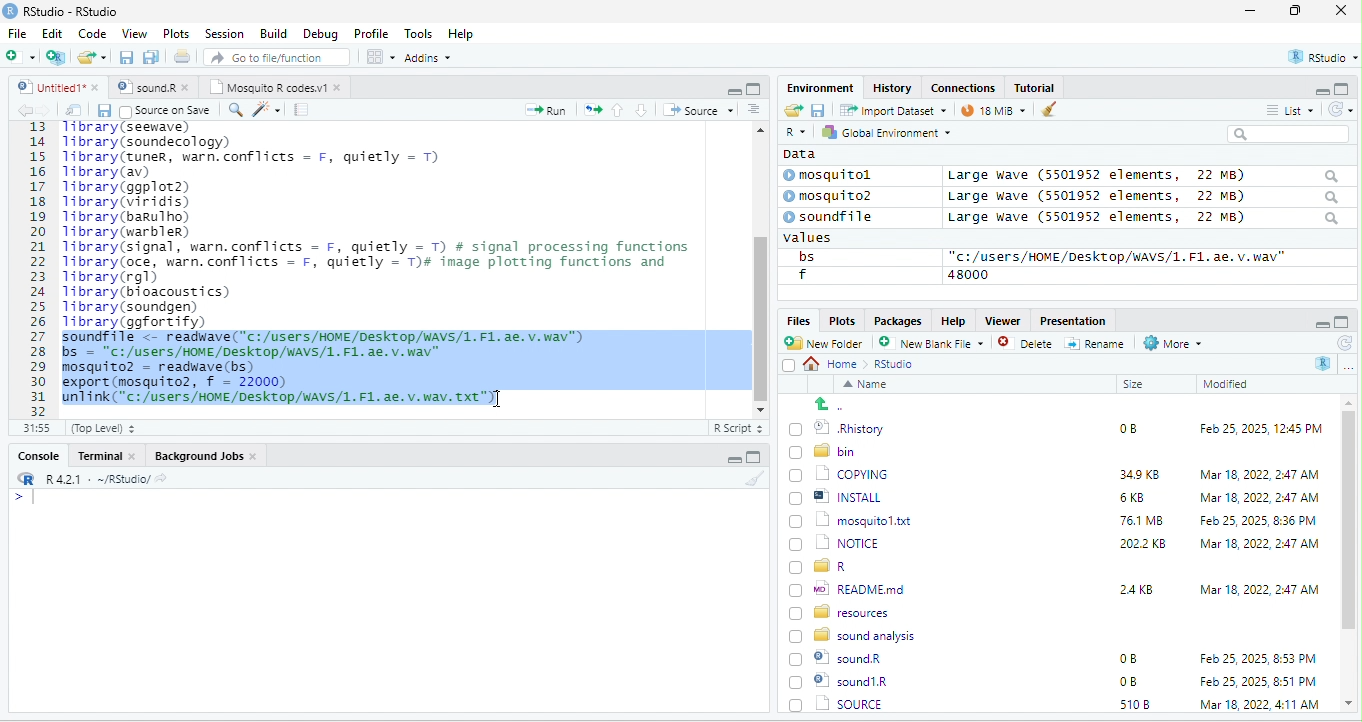 This screenshot has height=722, width=1362. I want to click on Run, so click(542, 110).